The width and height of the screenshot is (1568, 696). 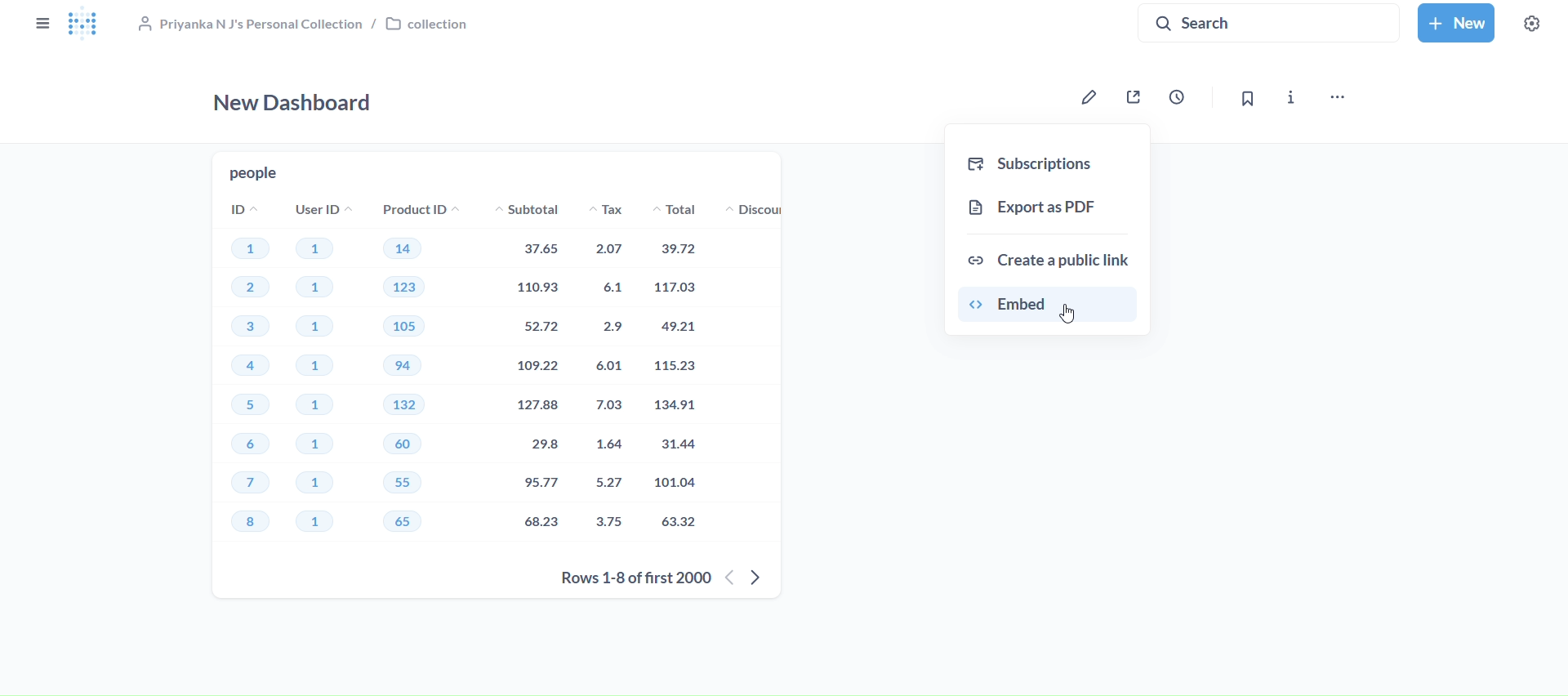 What do you see at coordinates (1292, 98) in the screenshot?
I see `info` at bounding box center [1292, 98].